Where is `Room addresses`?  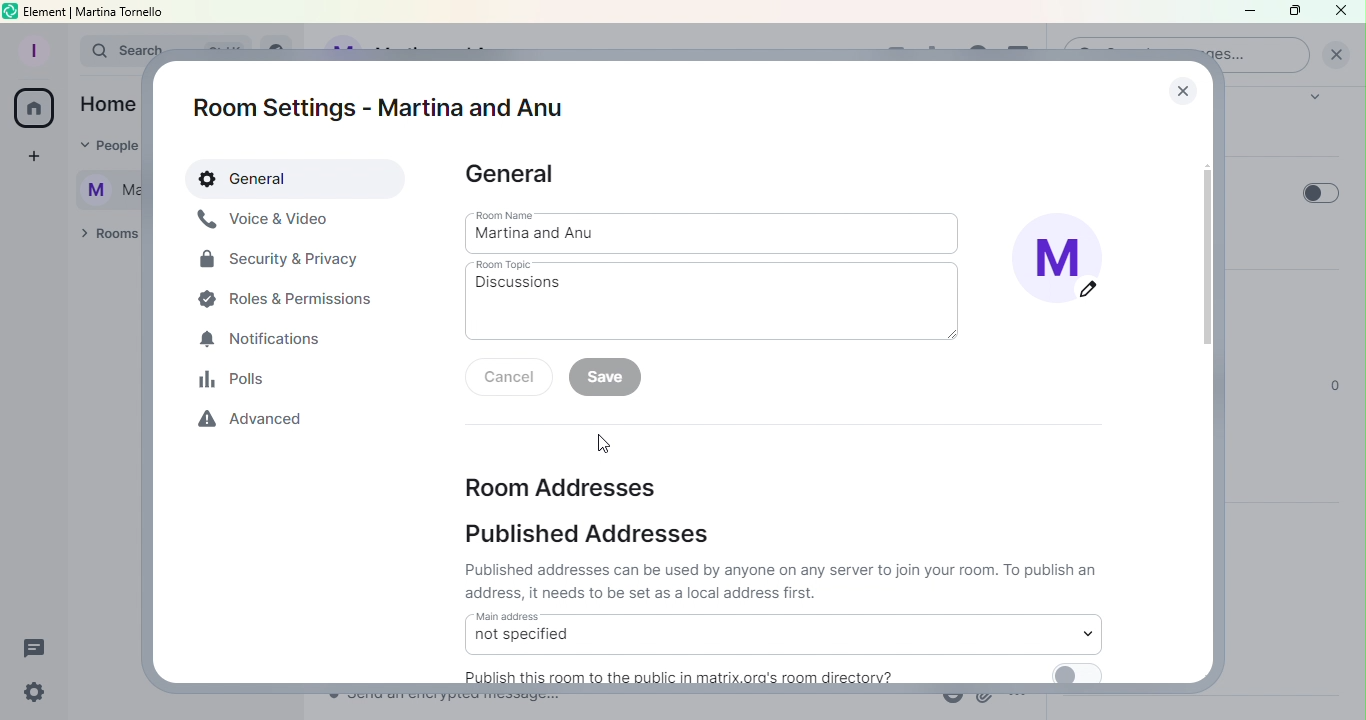 Room addresses is located at coordinates (560, 485).